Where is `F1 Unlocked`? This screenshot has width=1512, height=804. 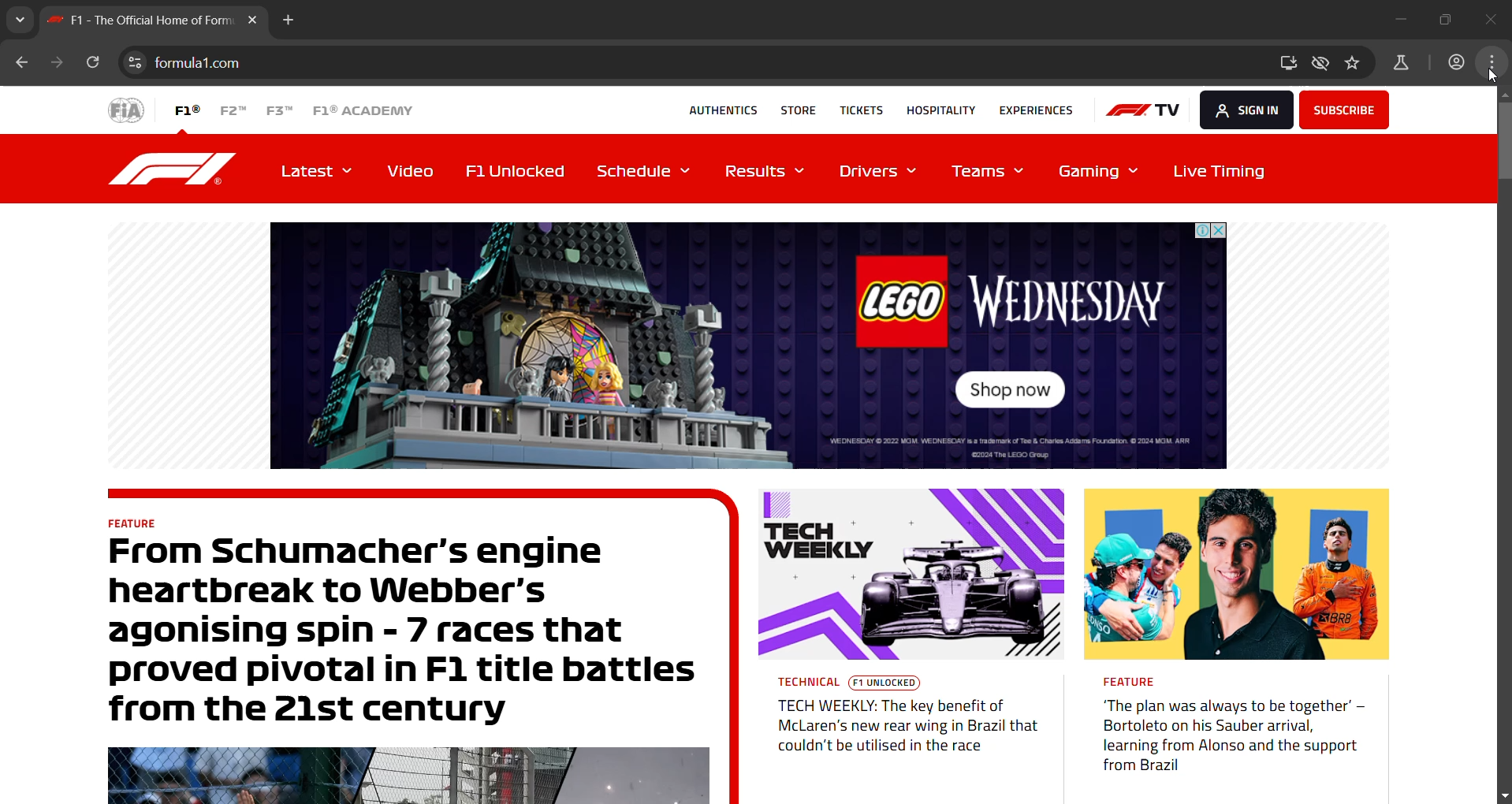 F1 Unlocked is located at coordinates (509, 170).